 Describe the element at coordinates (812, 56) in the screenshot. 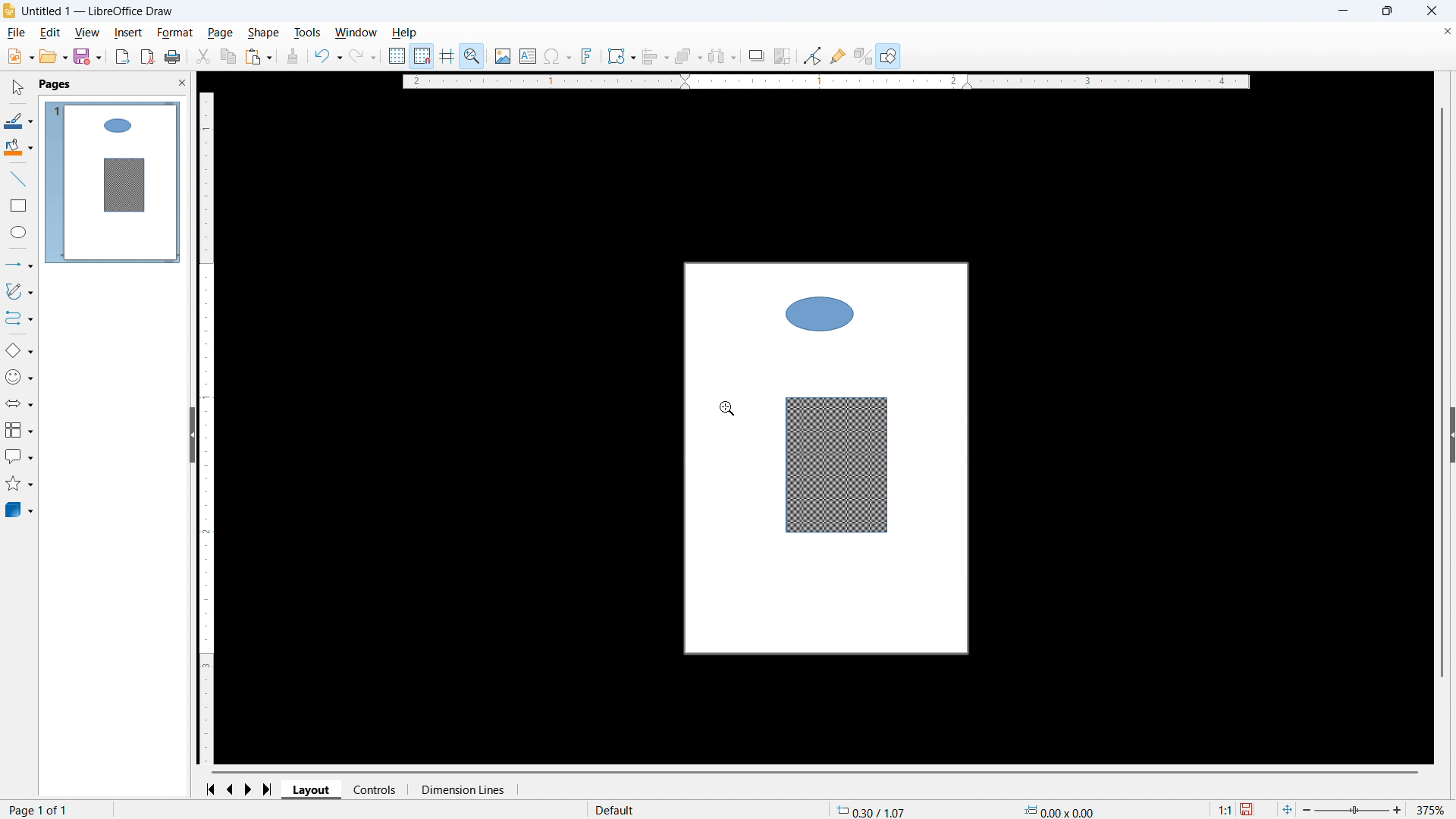

I see `Toggle point edit mode ` at that location.